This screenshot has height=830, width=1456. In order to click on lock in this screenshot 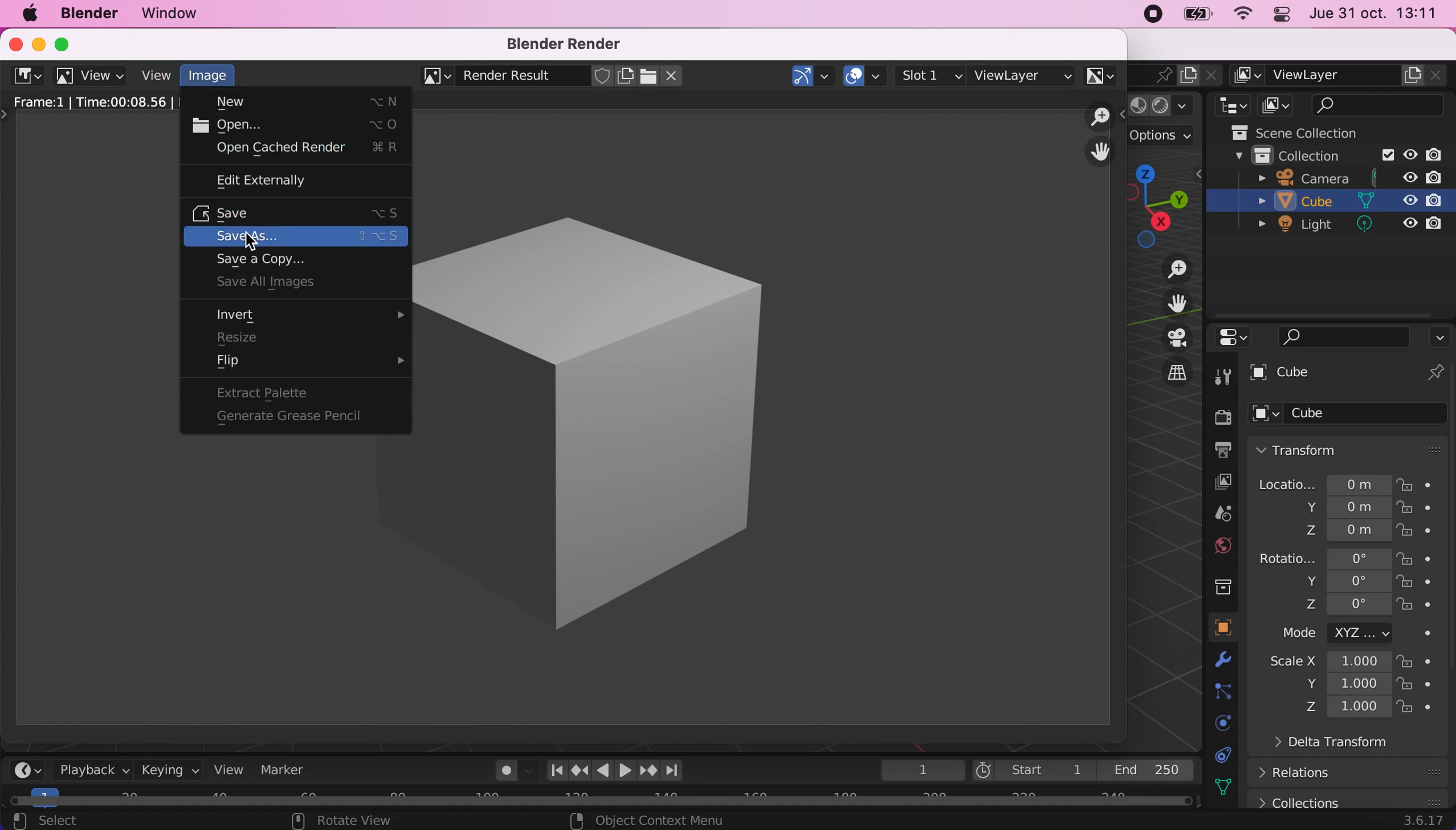, I will do `click(1417, 710)`.